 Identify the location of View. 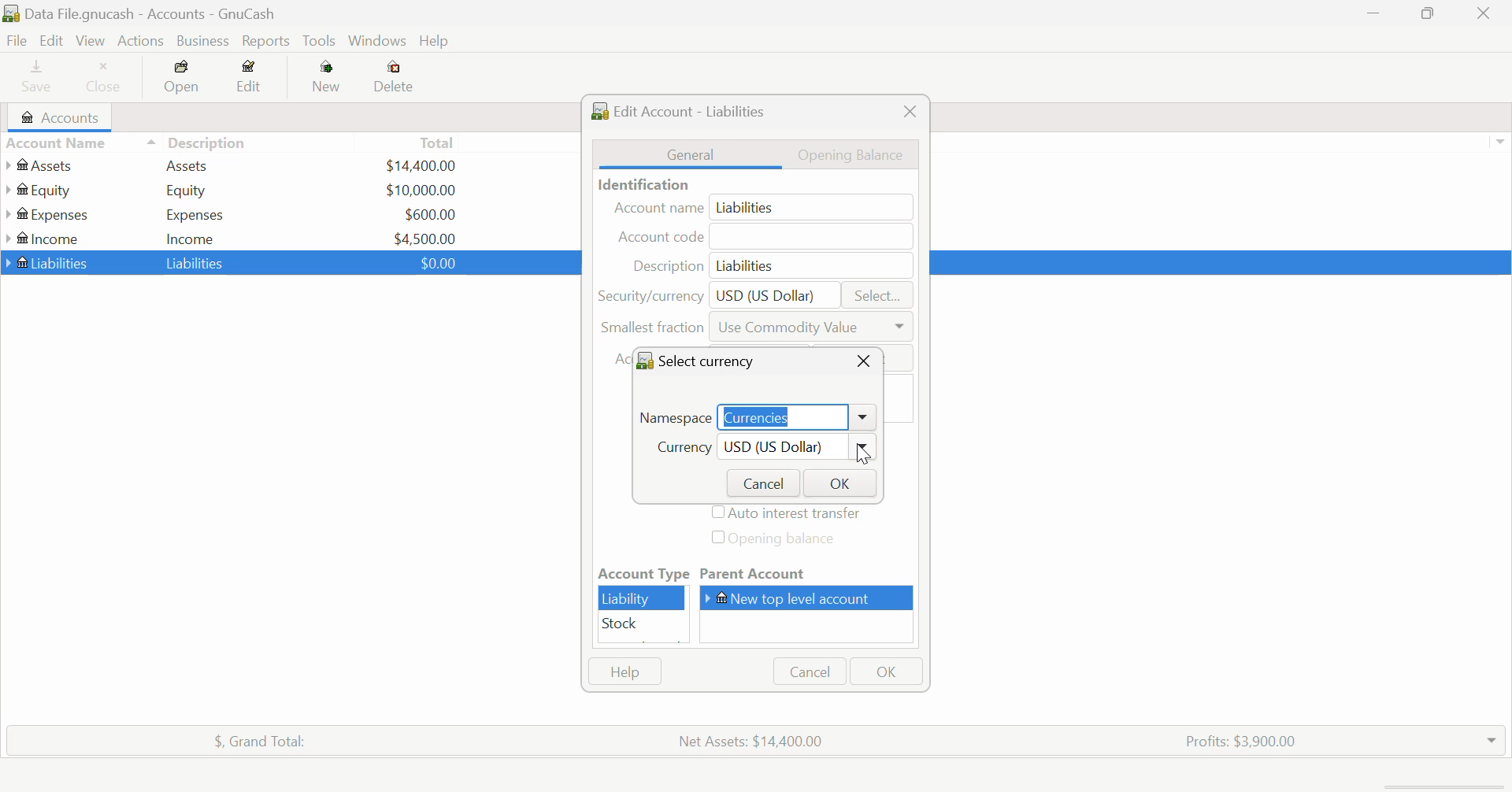
(89, 41).